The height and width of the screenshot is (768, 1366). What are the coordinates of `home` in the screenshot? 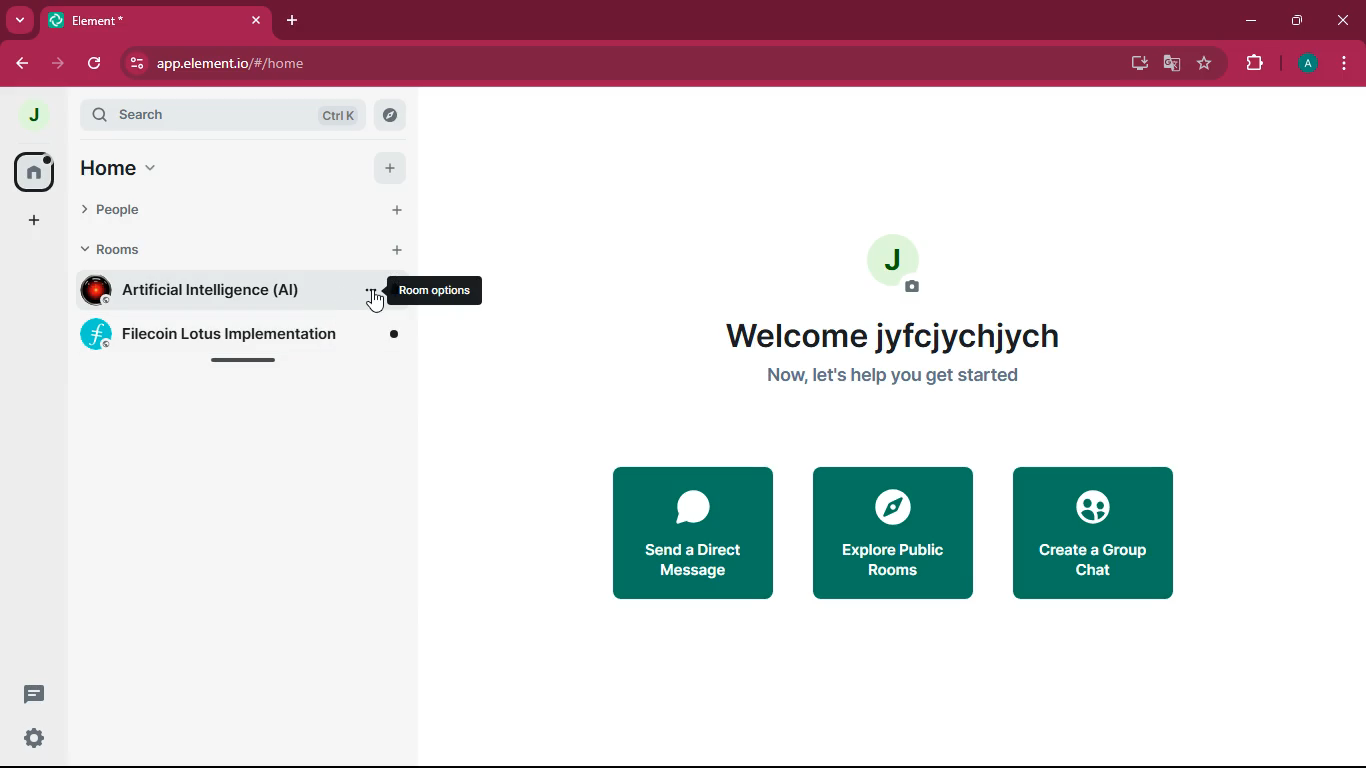 It's located at (40, 172).